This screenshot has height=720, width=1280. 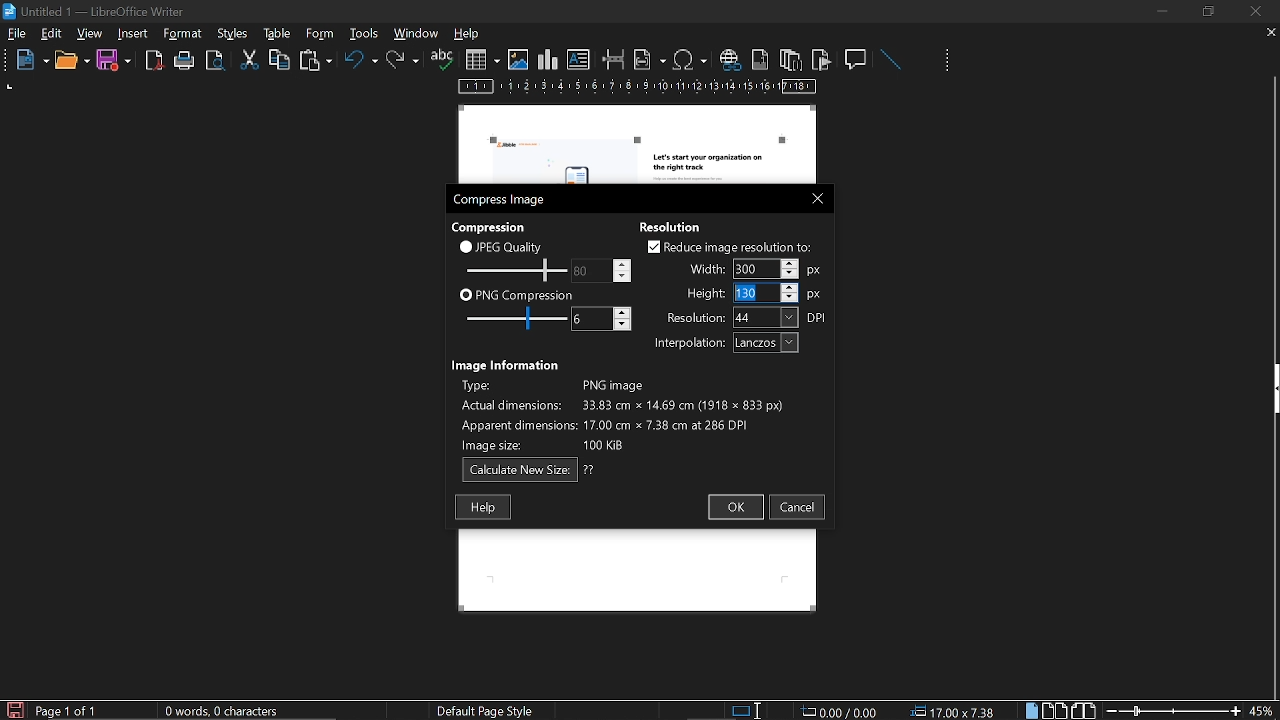 I want to click on 0.00 / 0.00, so click(x=842, y=710).